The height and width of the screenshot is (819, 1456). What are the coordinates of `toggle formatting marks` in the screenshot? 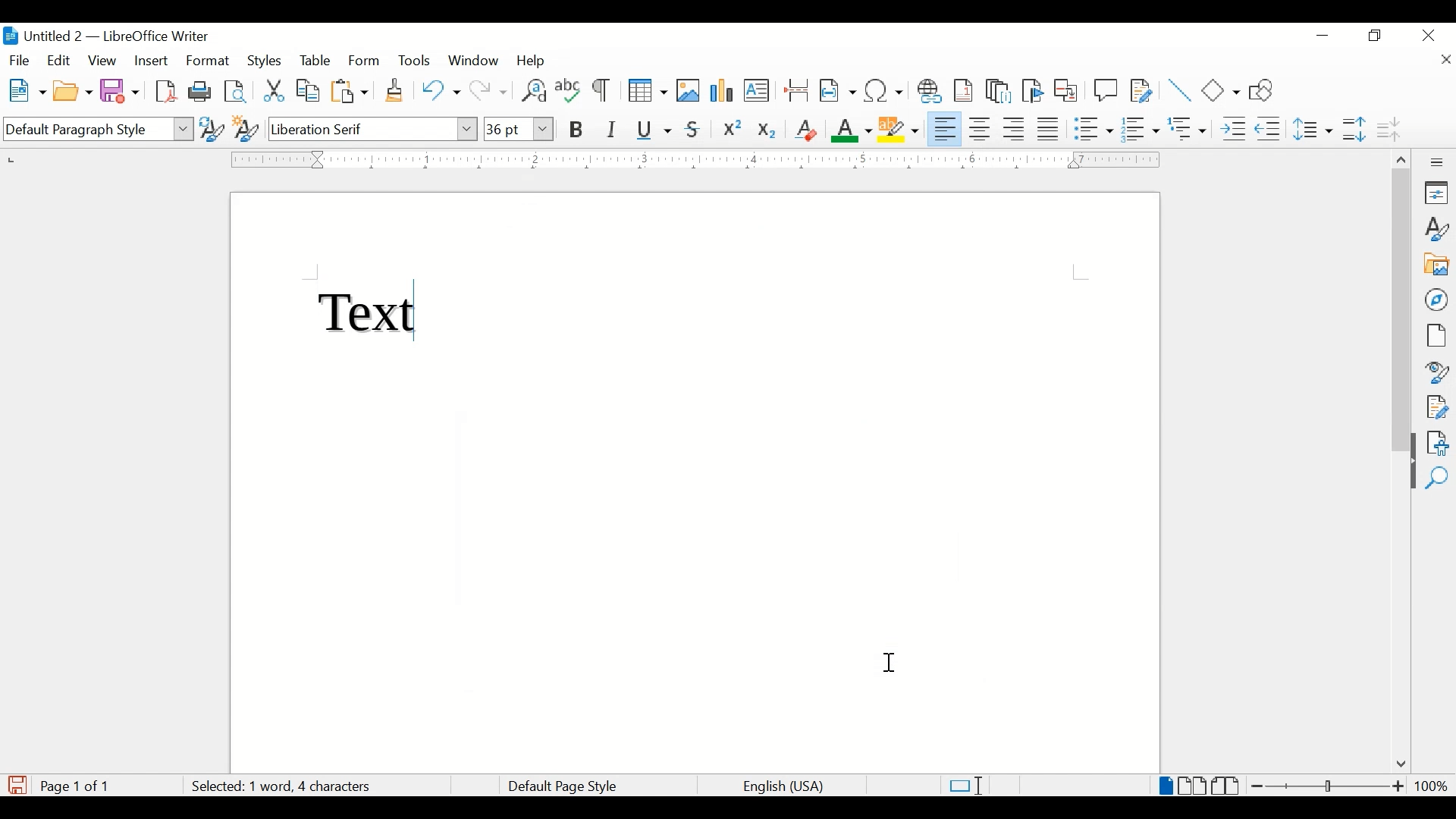 It's located at (603, 92).